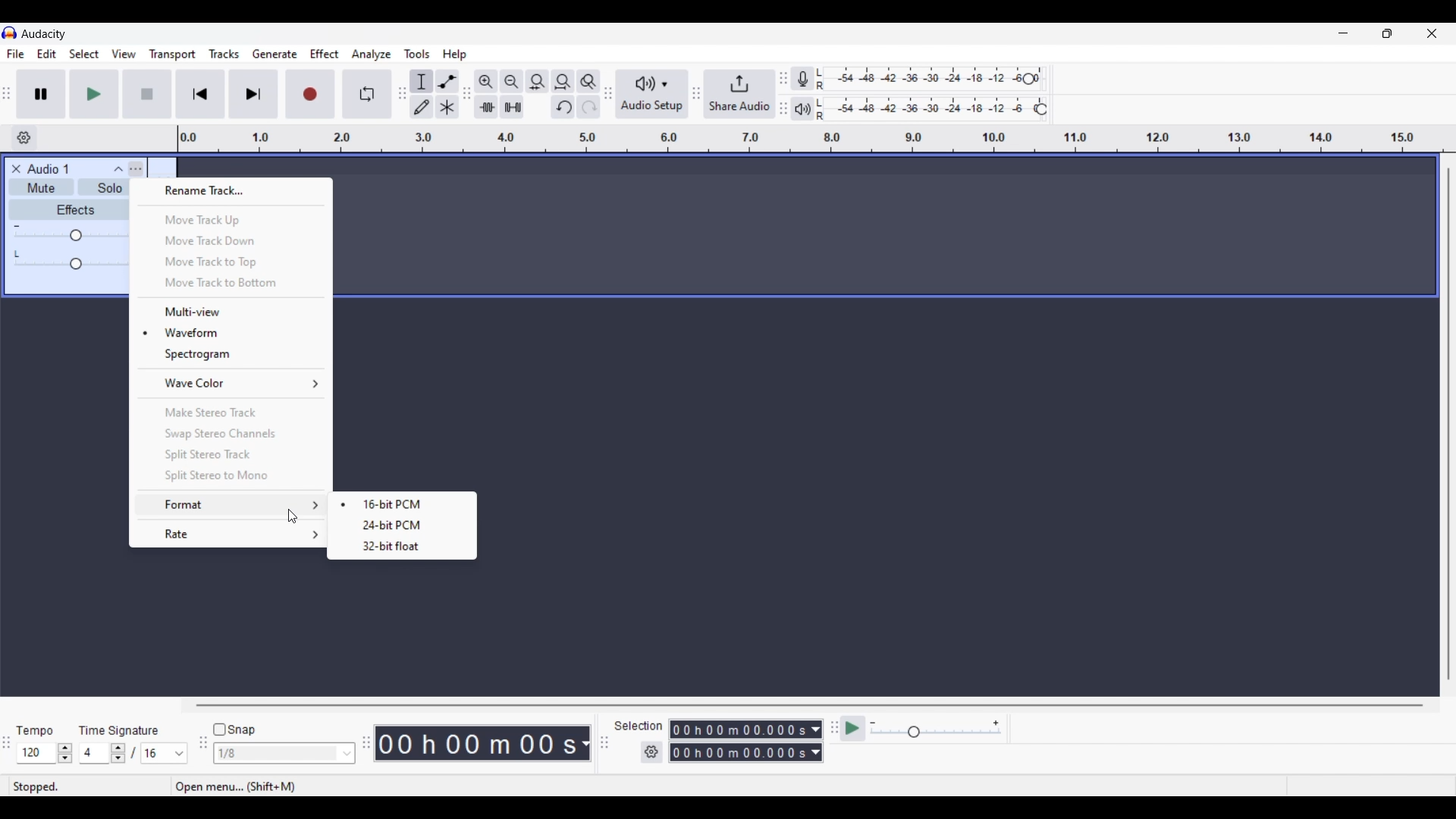 This screenshot has width=1456, height=819. What do you see at coordinates (55, 169) in the screenshot?
I see `Audio 1` at bounding box center [55, 169].